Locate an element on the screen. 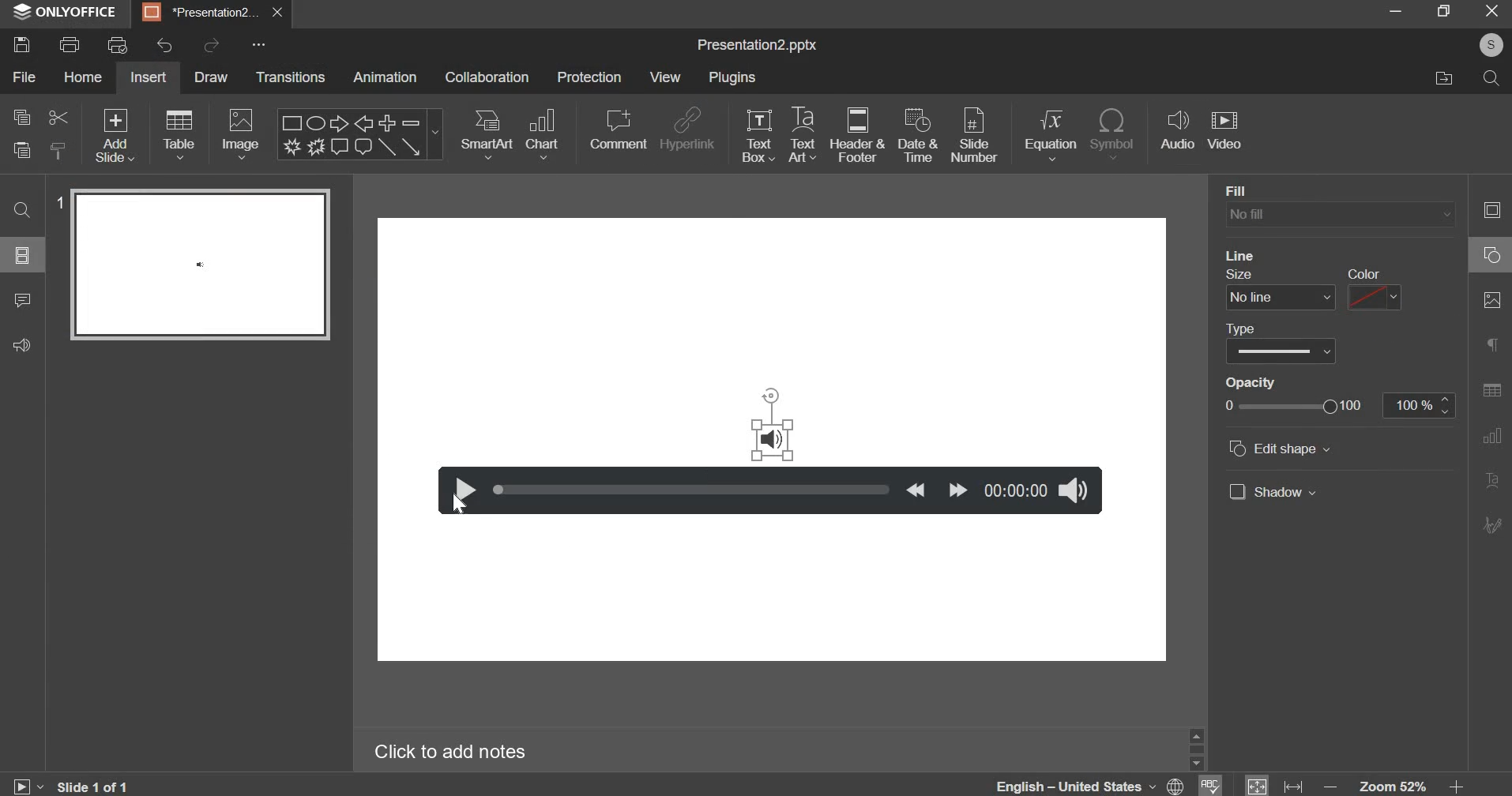 This screenshot has width=1512, height=796. paste is located at coordinates (21, 152).